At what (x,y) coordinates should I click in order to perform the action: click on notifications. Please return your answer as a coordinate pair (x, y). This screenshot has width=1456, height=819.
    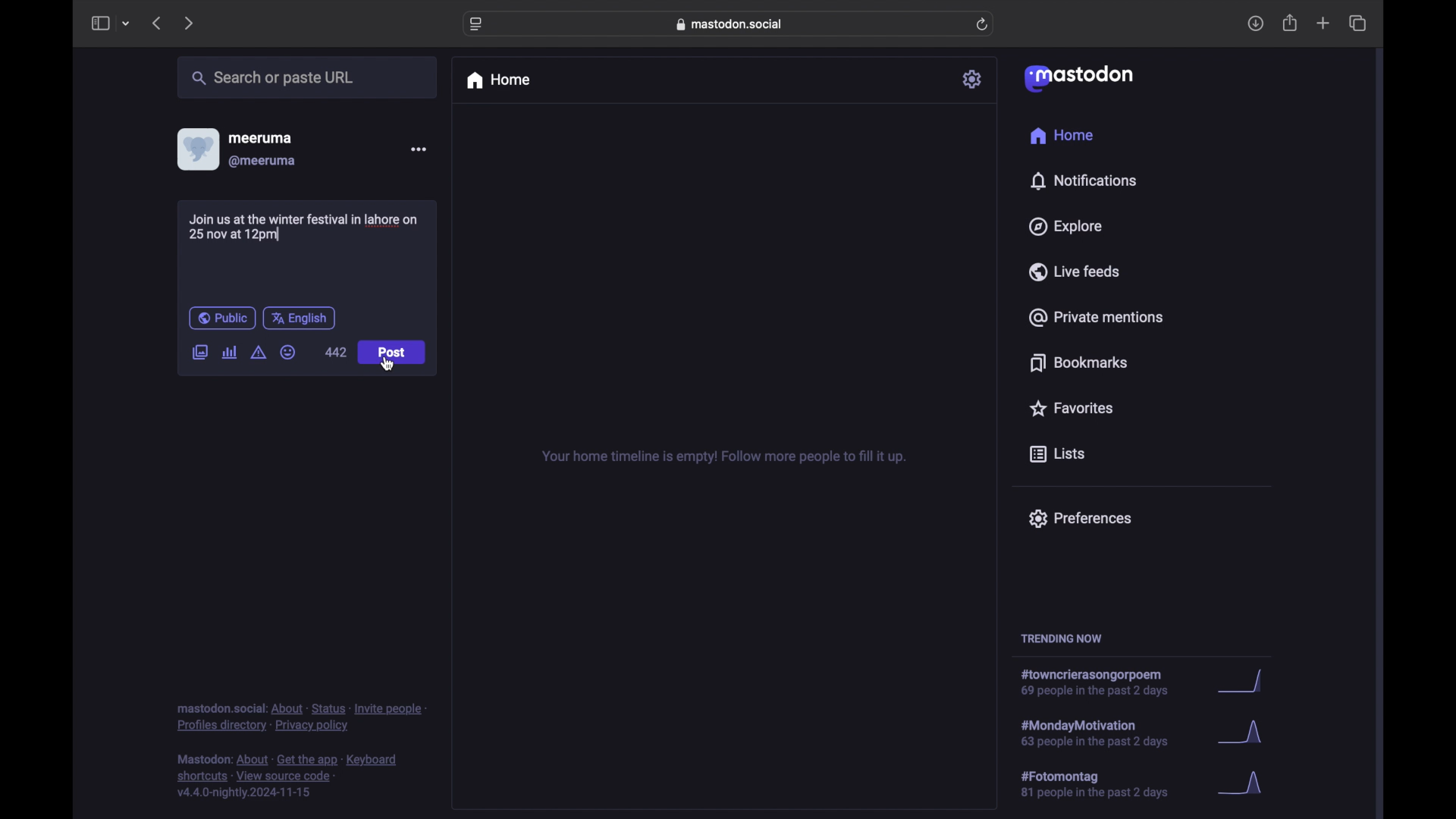
    Looking at the image, I should click on (1083, 180).